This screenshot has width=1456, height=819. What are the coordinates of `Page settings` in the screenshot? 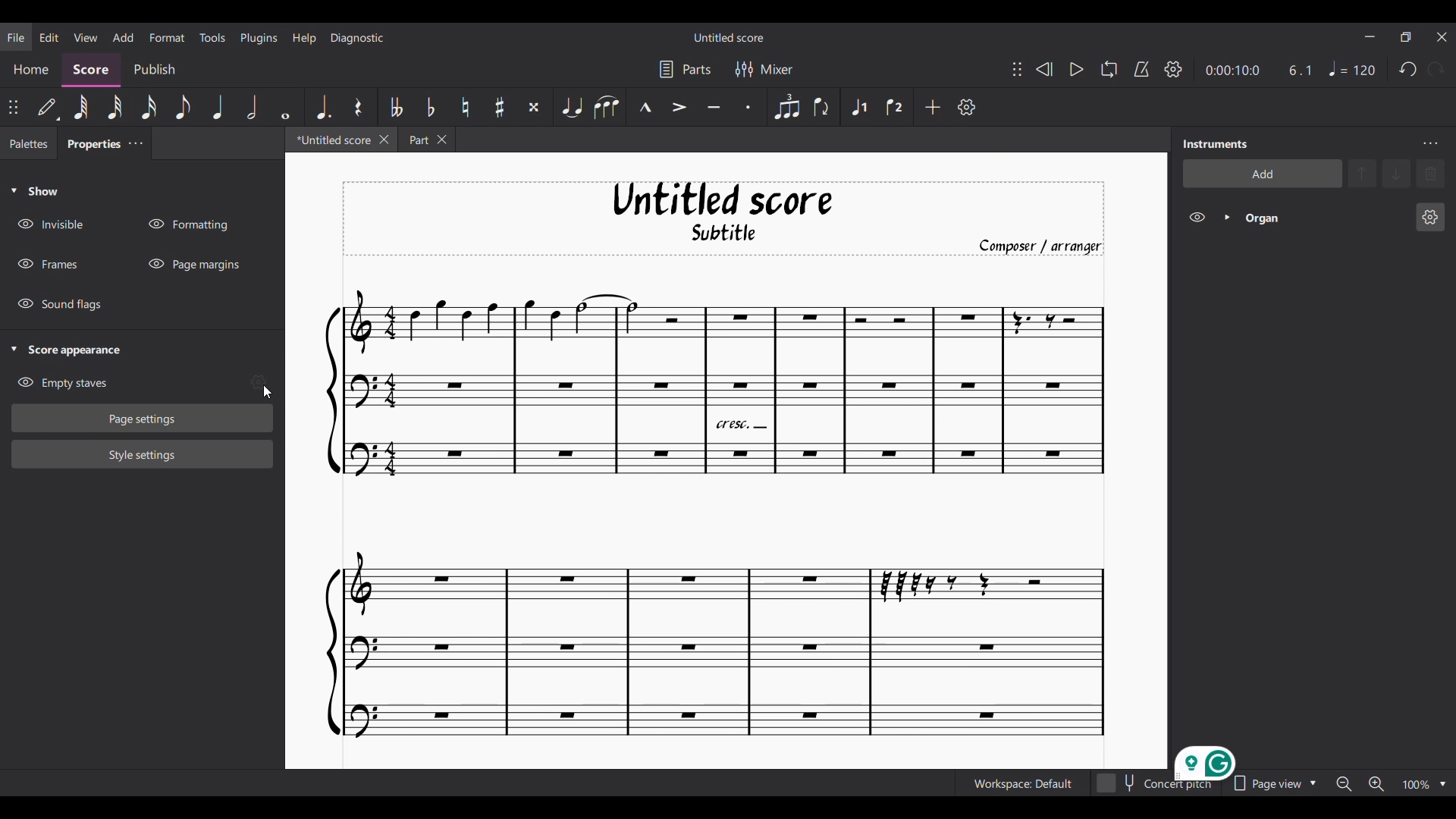 It's located at (143, 419).